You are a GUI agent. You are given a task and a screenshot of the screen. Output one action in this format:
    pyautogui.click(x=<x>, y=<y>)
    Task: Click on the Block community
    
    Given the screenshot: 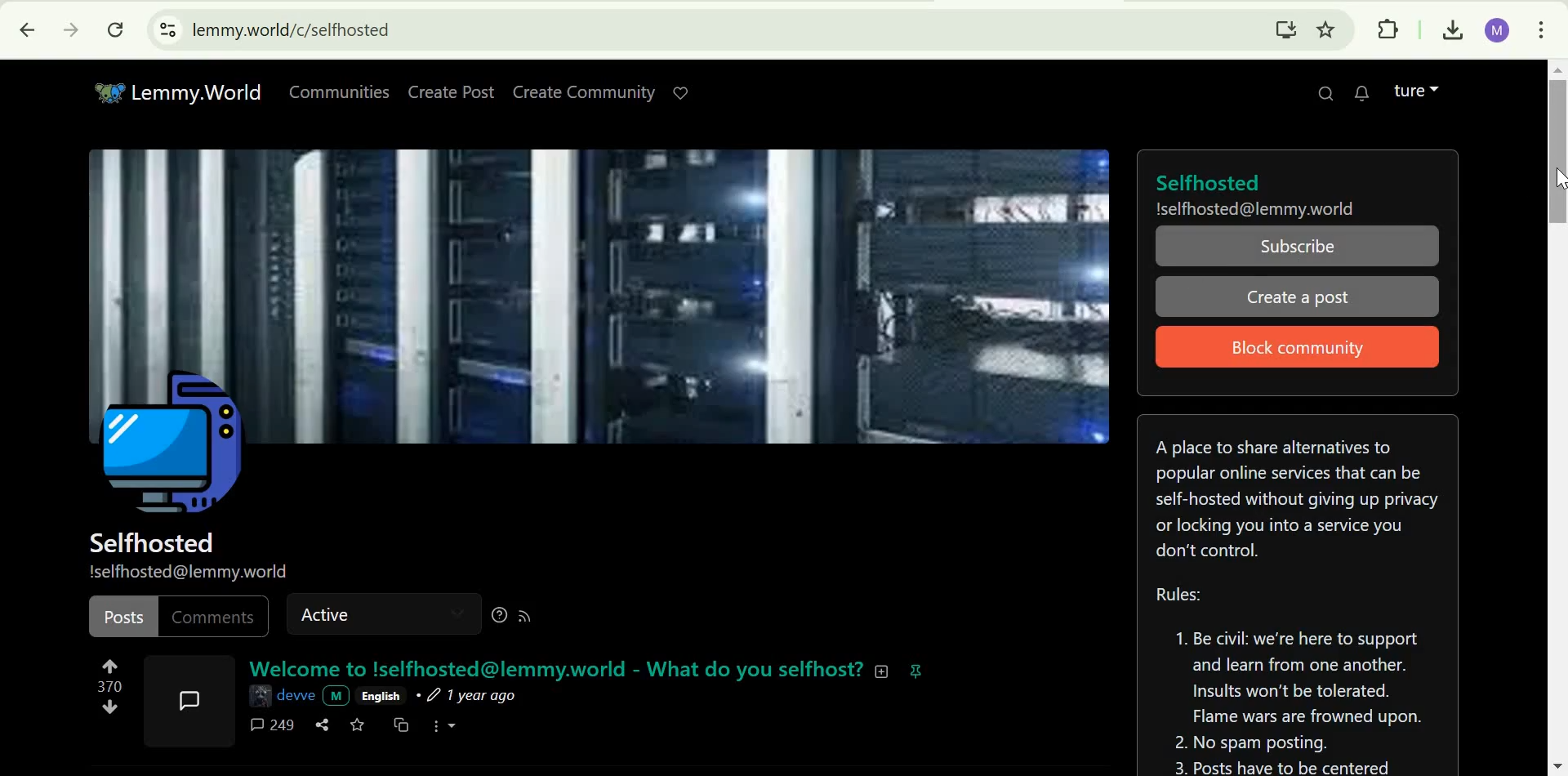 What is the action you would take?
    pyautogui.click(x=1288, y=348)
    